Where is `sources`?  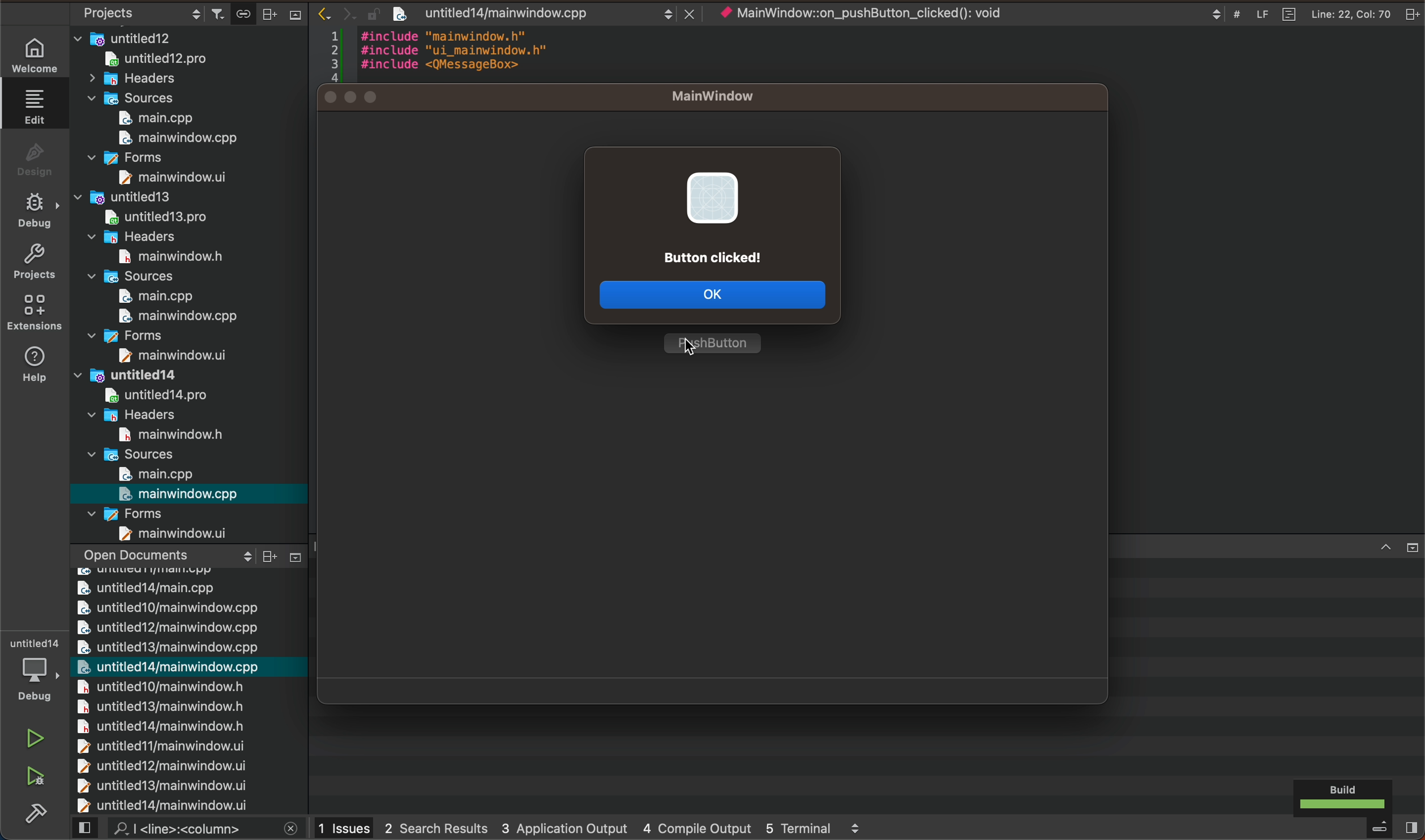 sources is located at coordinates (138, 453).